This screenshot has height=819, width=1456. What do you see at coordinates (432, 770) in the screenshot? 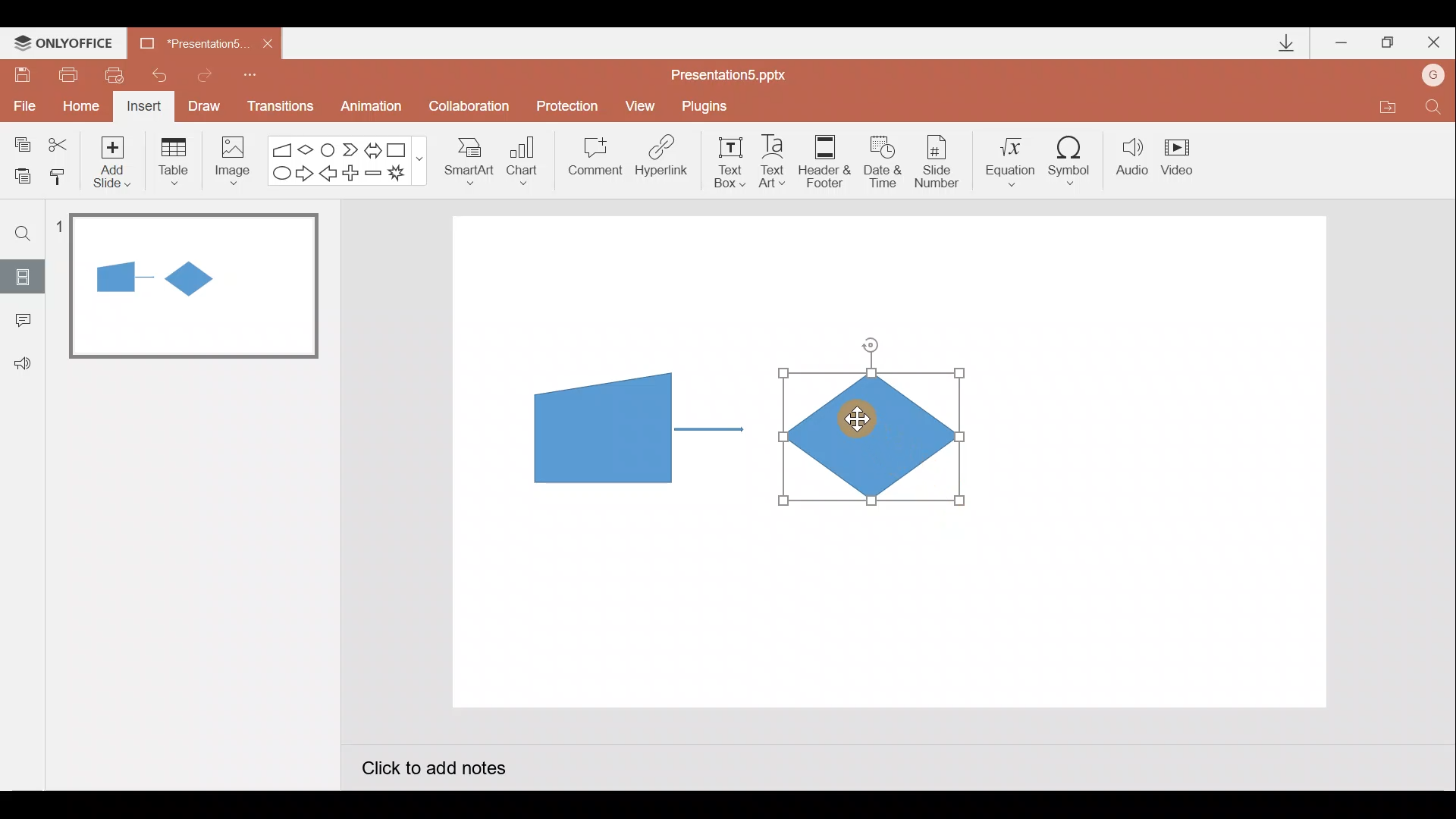
I see `Click to add notes` at bounding box center [432, 770].